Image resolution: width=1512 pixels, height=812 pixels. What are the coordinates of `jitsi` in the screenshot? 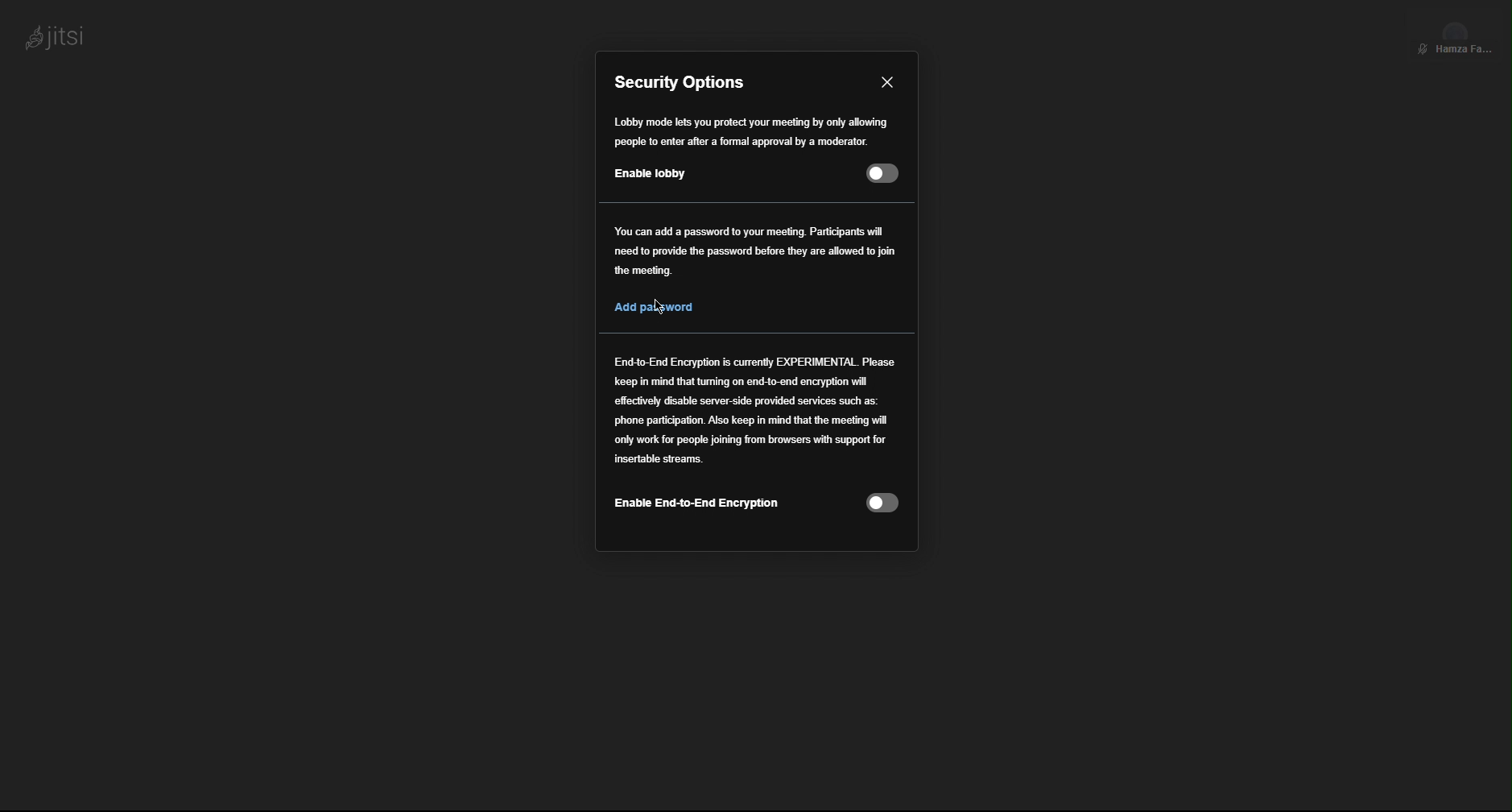 It's located at (52, 34).